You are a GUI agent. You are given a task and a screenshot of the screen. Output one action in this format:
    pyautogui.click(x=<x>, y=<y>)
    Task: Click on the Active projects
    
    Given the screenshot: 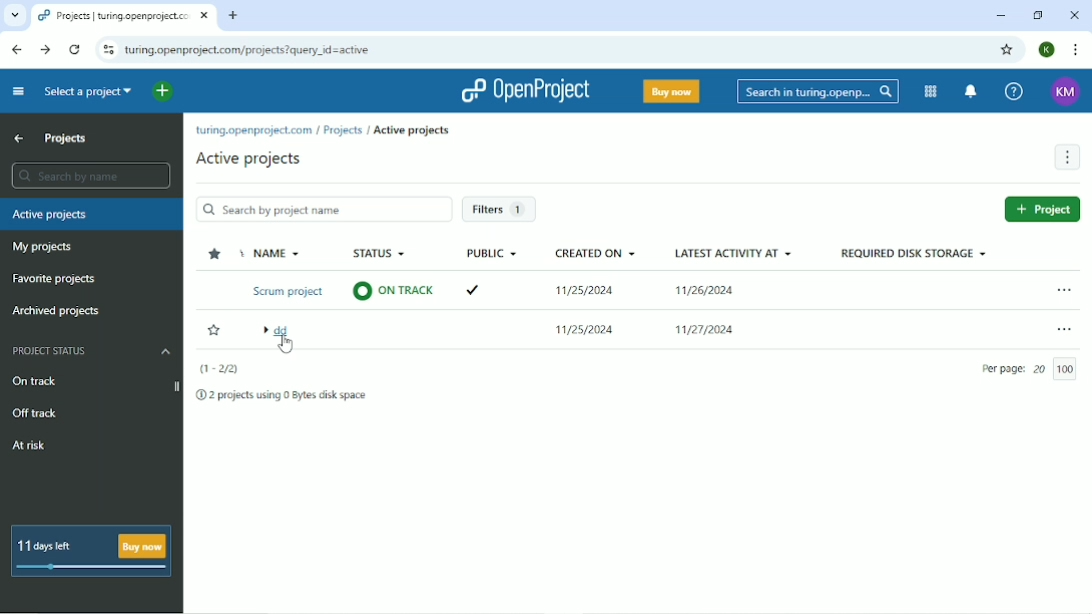 What is the action you would take?
    pyautogui.click(x=91, y=215)
    